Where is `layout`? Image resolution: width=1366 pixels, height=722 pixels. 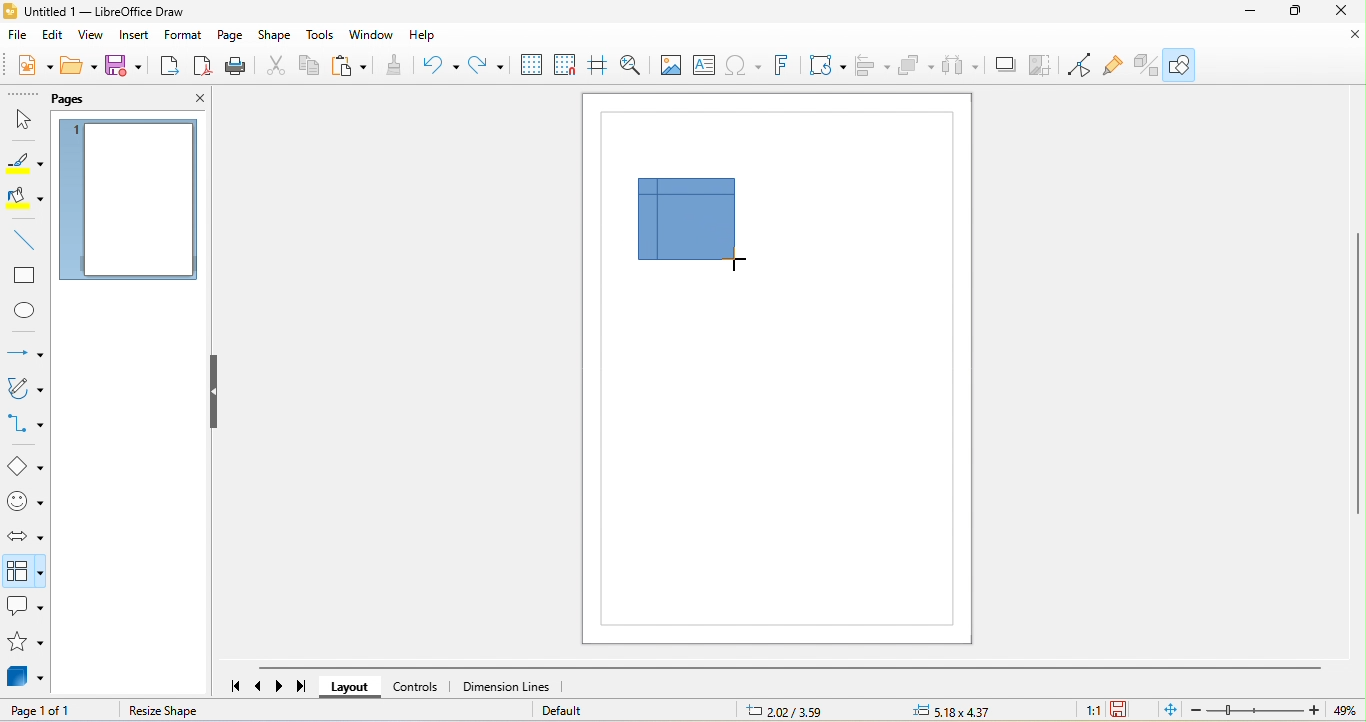 layout is located at coordinates (349, 687).